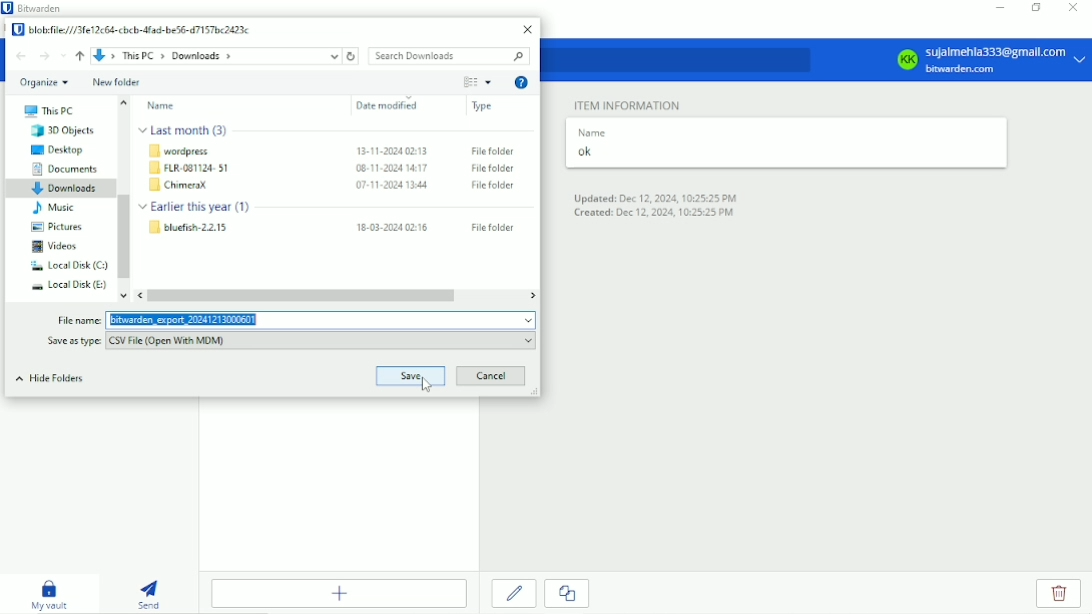 Image resolution: width=1092 pixels, height=614 pixels. What do you see at coordinates (390, 168) in the screenshot?
I see `08-11-2024  14:17` at bounding box center [390, 168].